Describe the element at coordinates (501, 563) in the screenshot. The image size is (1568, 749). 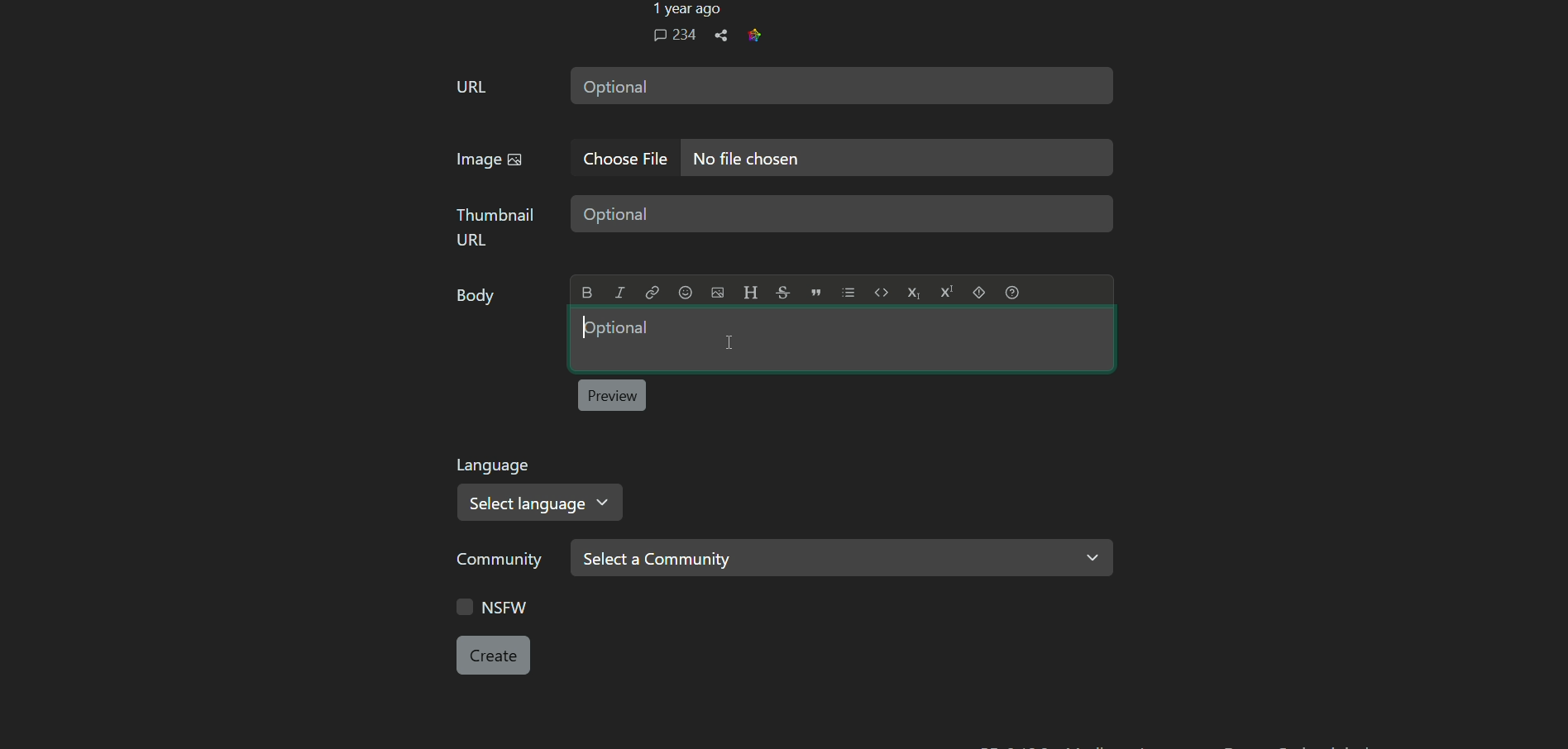
I see `community` at that location.